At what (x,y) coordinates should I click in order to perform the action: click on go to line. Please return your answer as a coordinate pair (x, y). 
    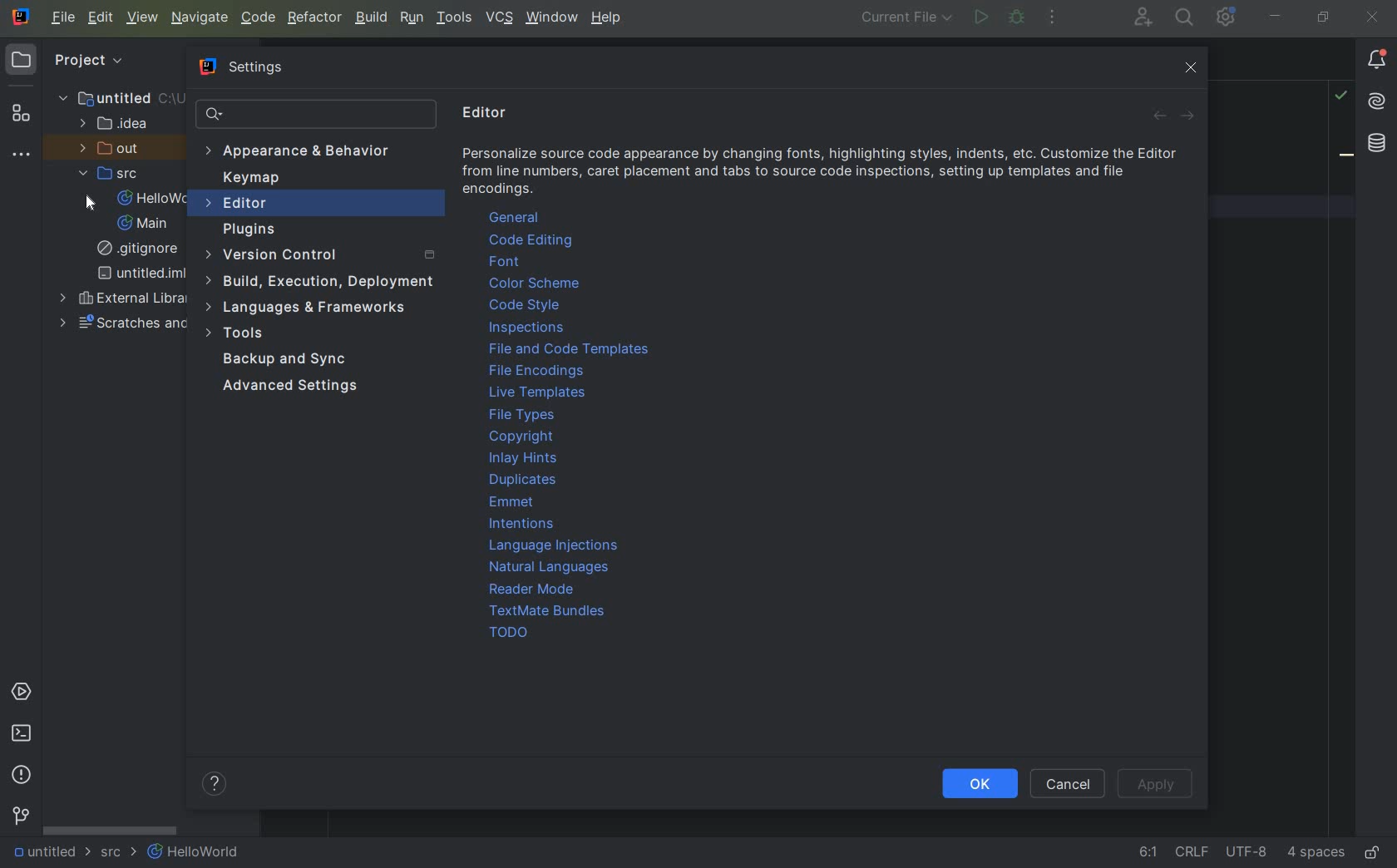
    Looking at the image, I should click on (1148, 852).